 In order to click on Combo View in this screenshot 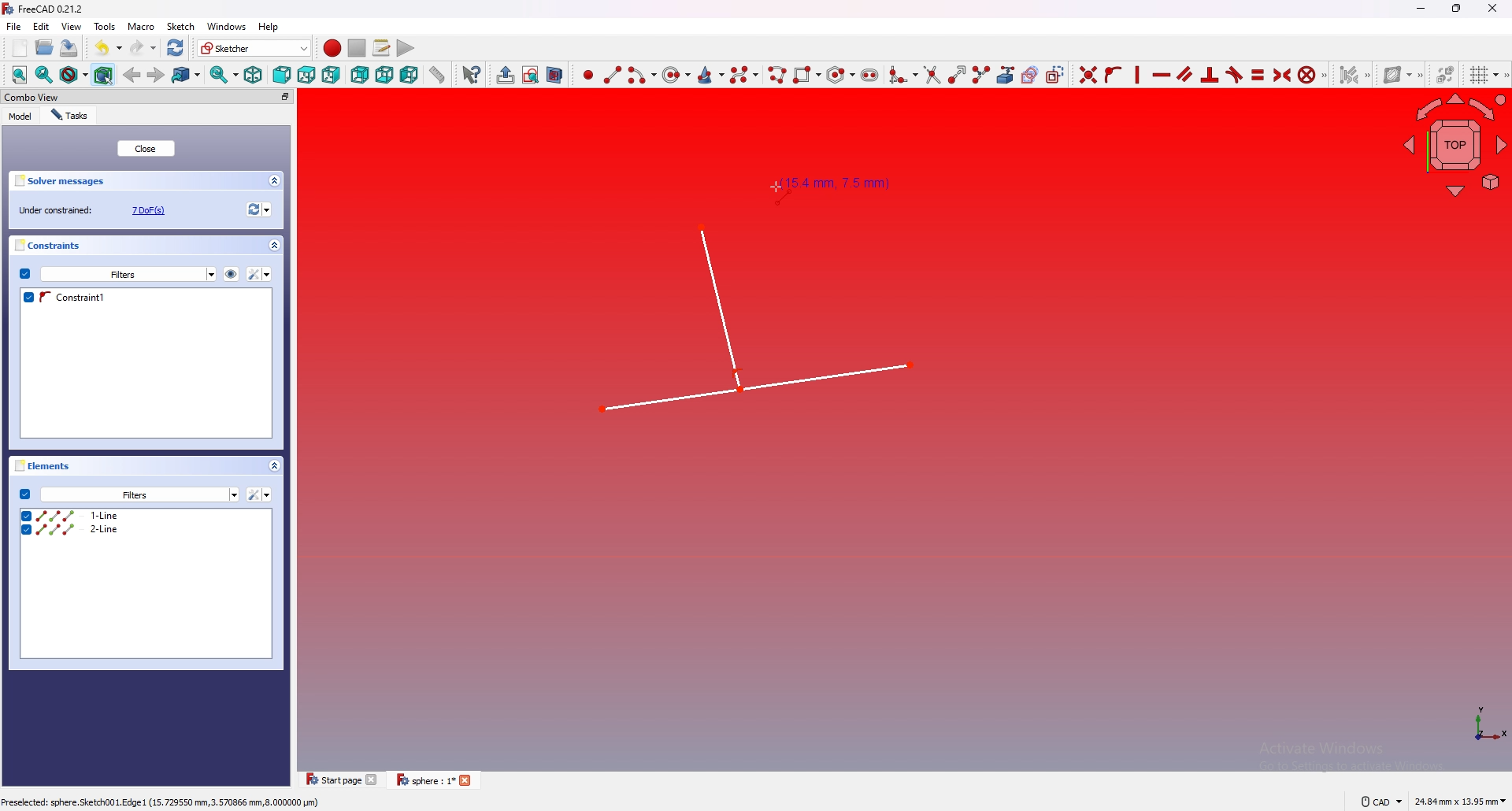, I will do `click(148, 98)`.